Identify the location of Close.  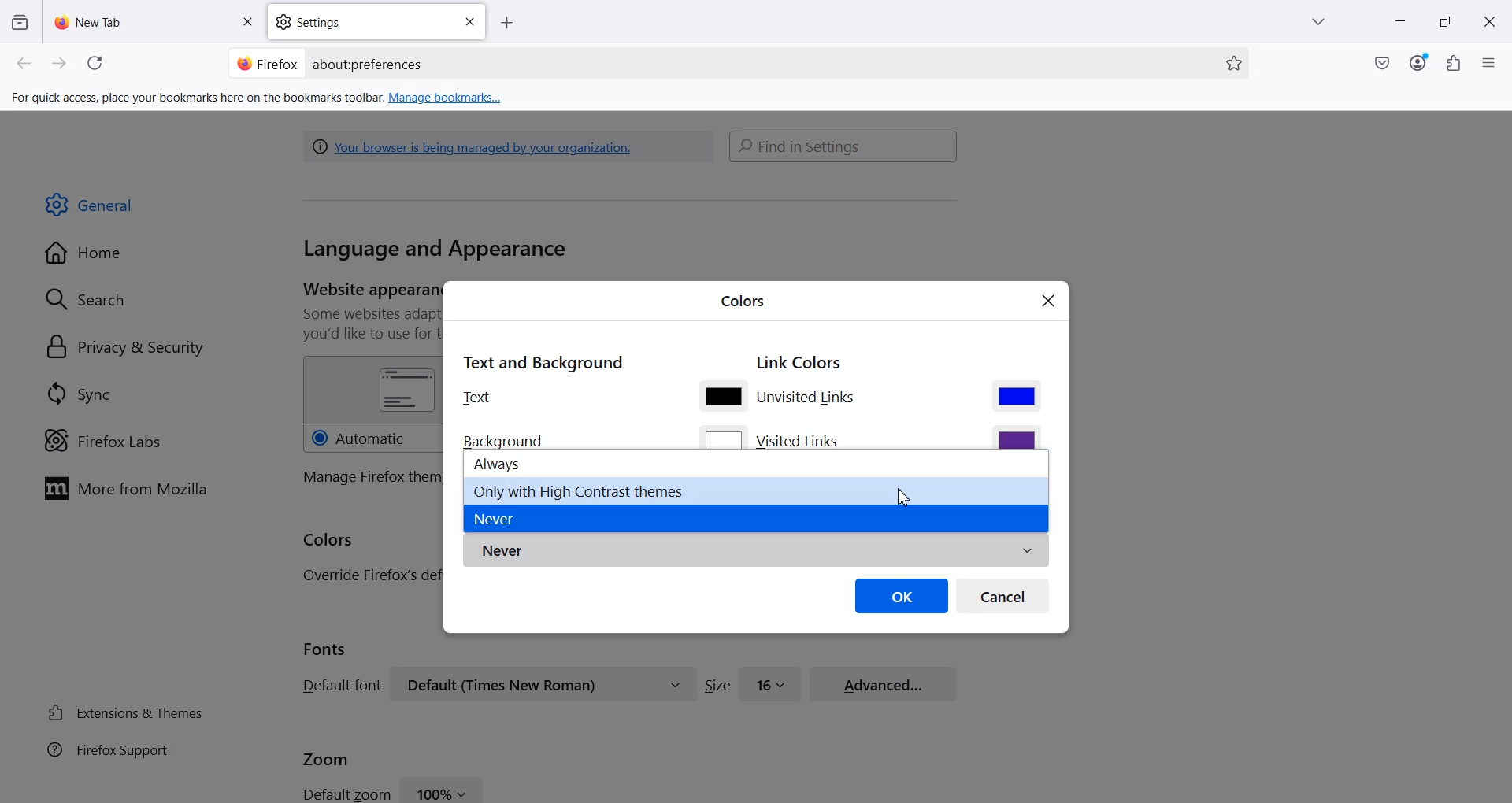
(1489, 22).